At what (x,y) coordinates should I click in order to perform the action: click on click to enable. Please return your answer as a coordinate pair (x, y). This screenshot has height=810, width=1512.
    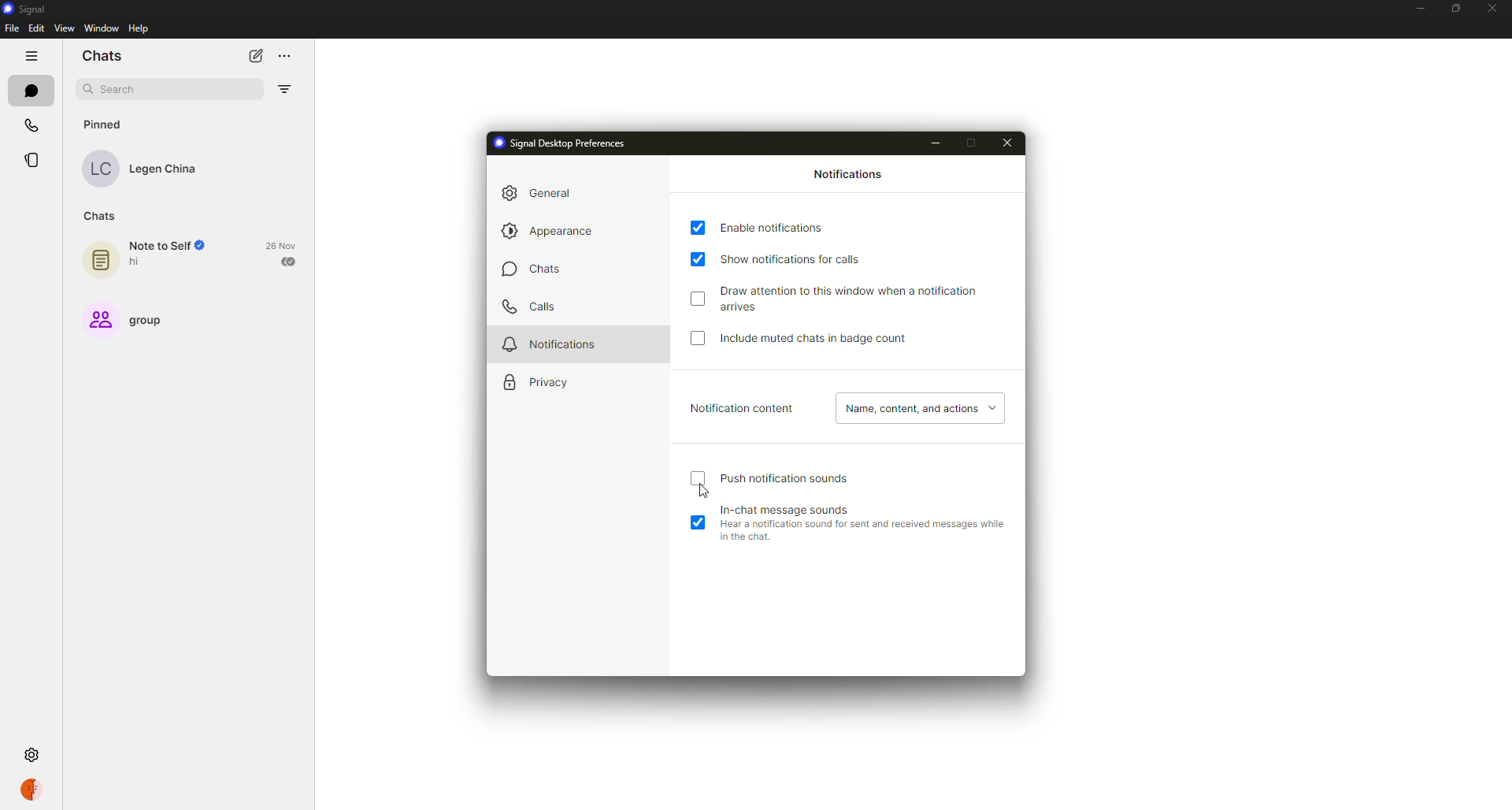
    Looking at the image, I should click on (698, 478).